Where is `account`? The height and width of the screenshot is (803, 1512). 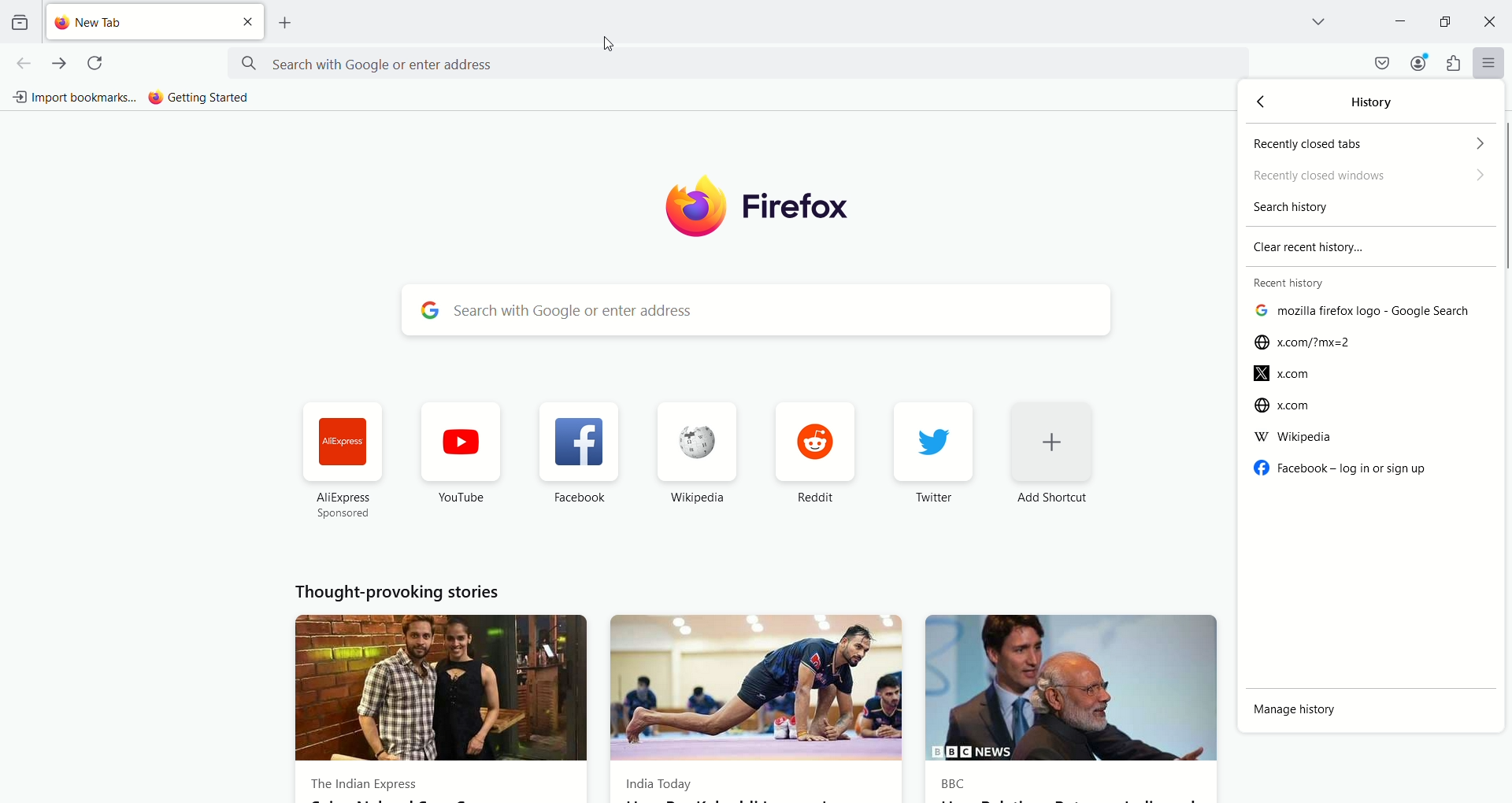 account is located at coordinates (1418, 62).